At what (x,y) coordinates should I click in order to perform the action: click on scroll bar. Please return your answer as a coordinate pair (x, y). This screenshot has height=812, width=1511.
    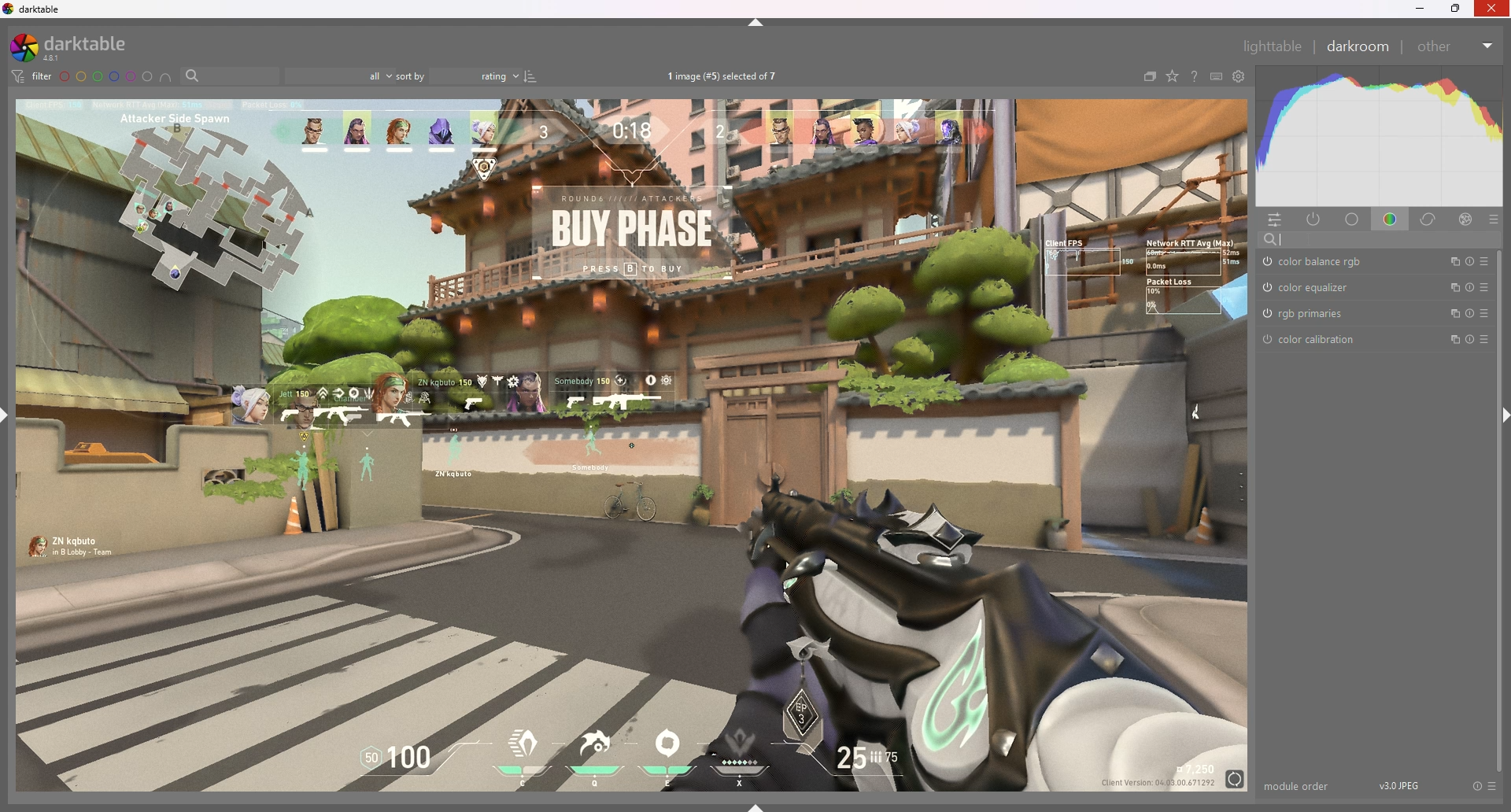
    Looking at the image, I should click on (1500, 511).